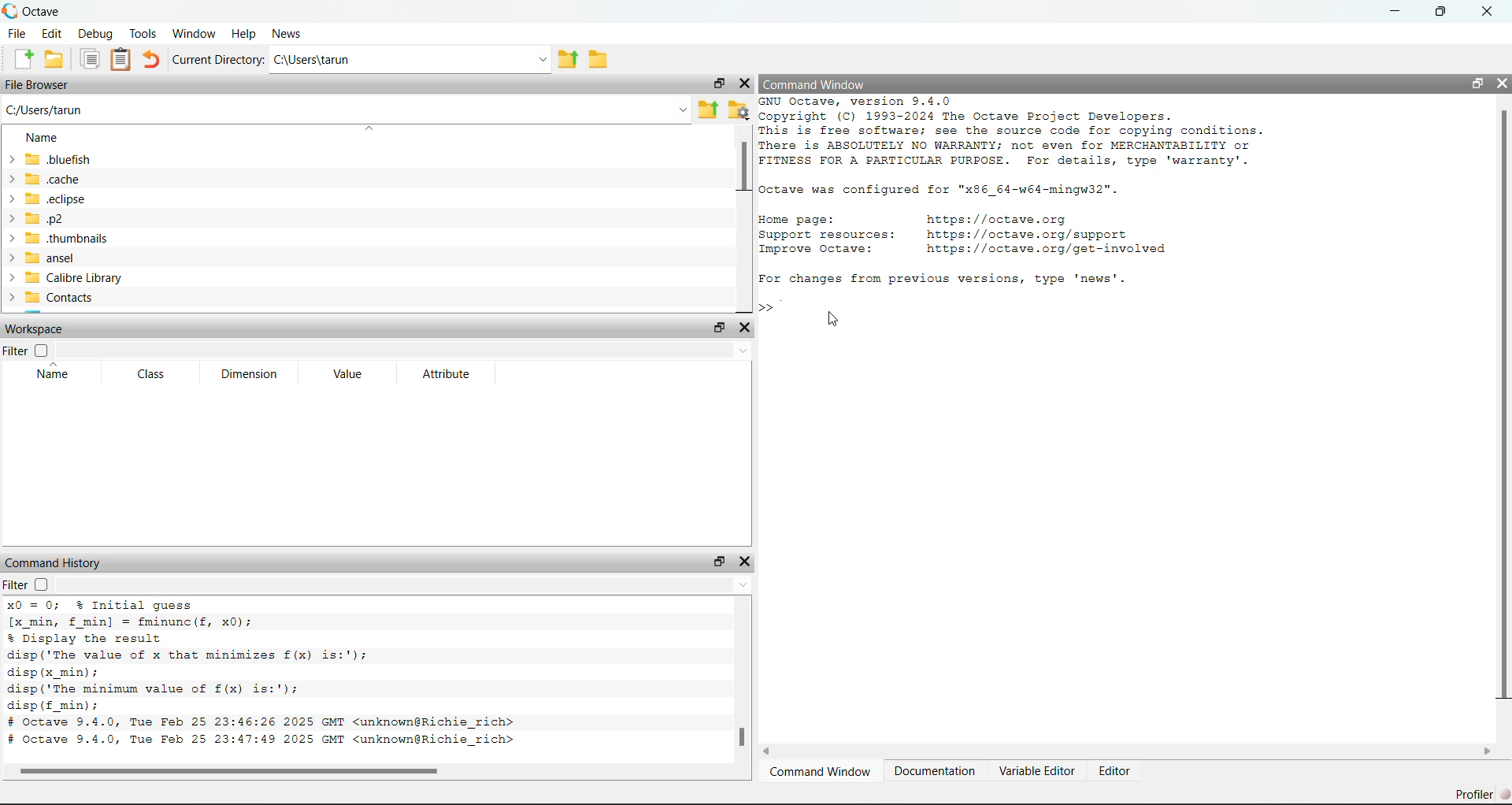  Describe the element at coordinates (409, 60) in the screenshot. I see `C:/Users/tarun` at that location.